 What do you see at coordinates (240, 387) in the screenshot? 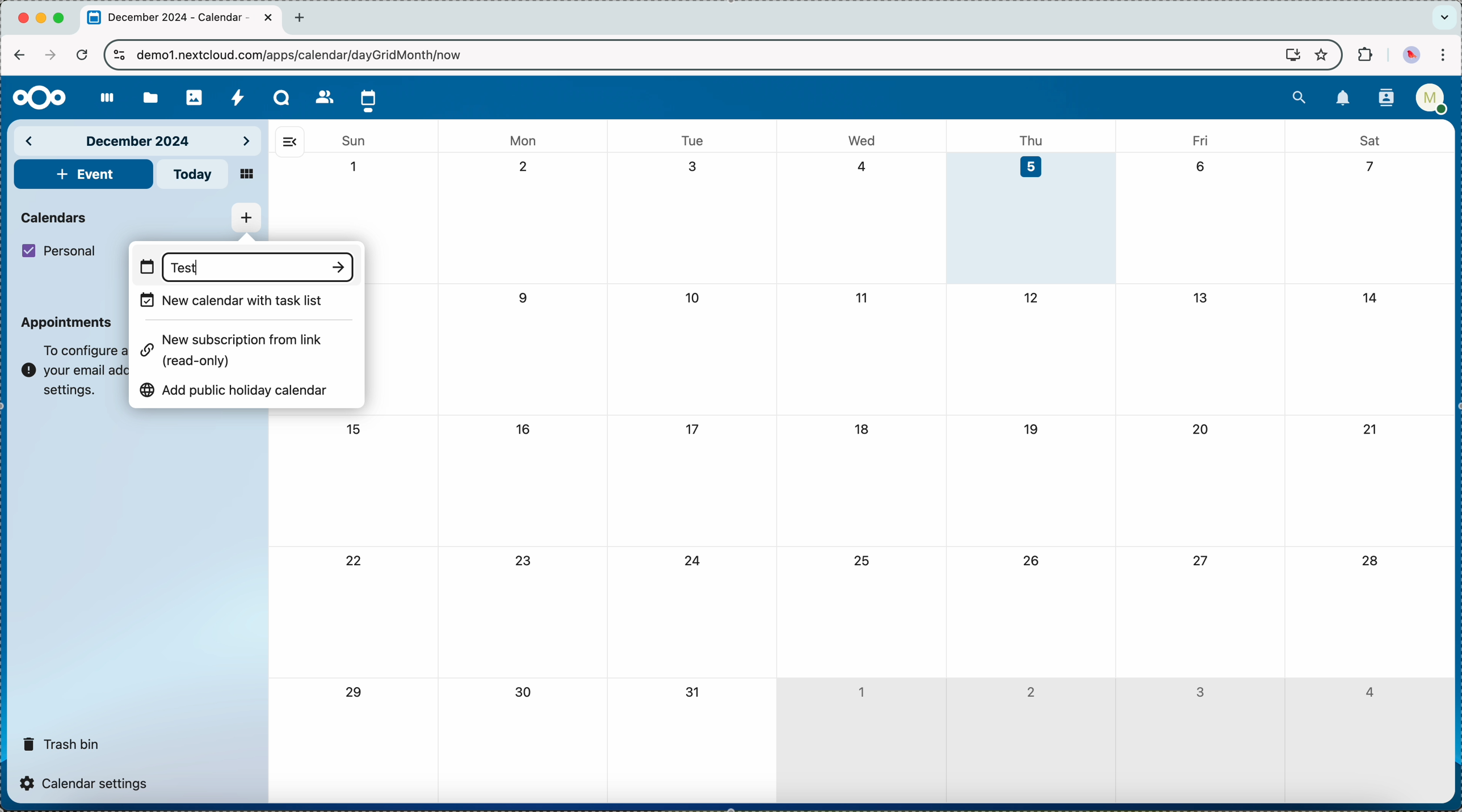
I see `add public holiday calendar` at bounding box center [240, 387].